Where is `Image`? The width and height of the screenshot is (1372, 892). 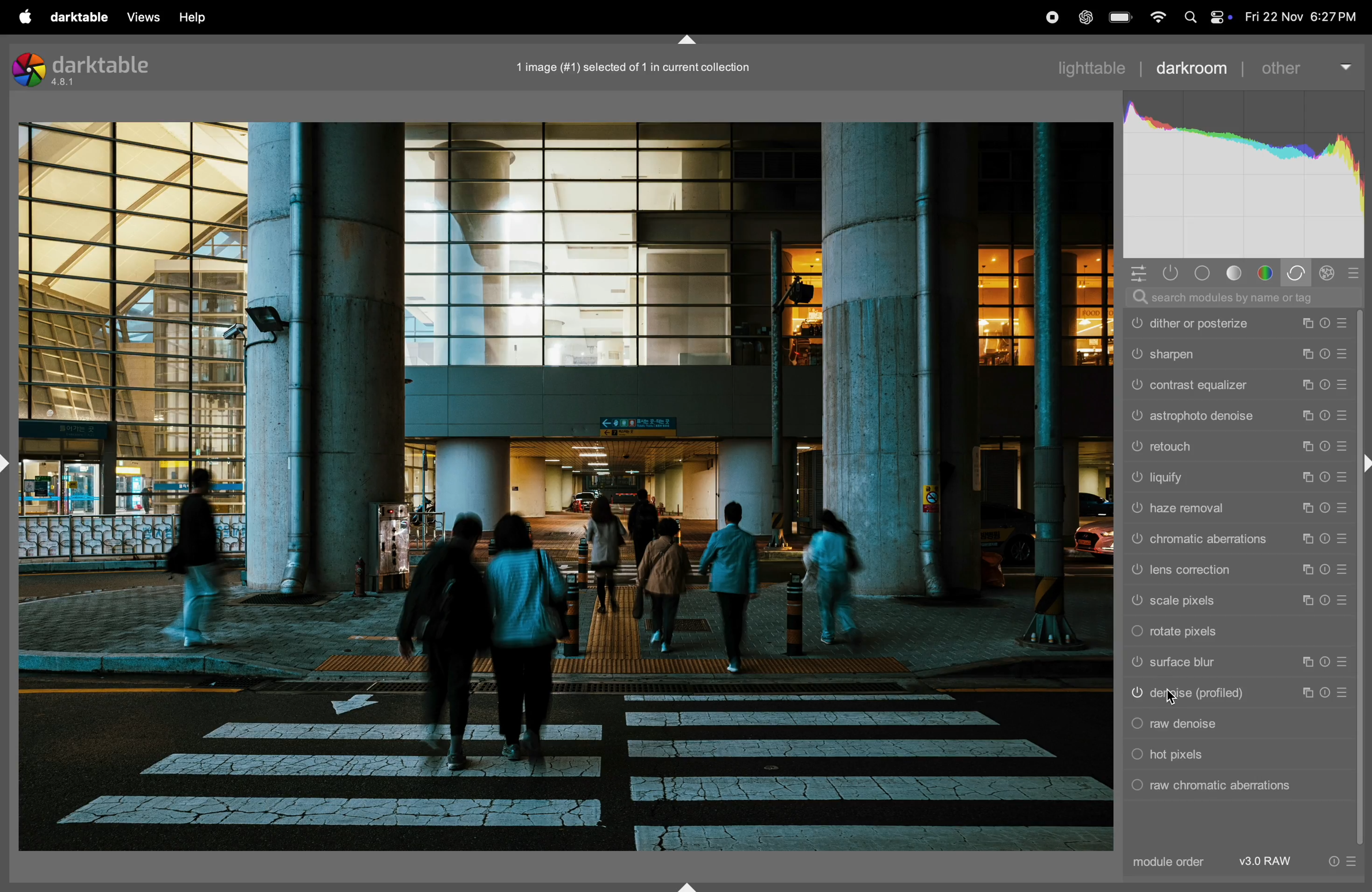
Image is located at coordinates (567, 486).